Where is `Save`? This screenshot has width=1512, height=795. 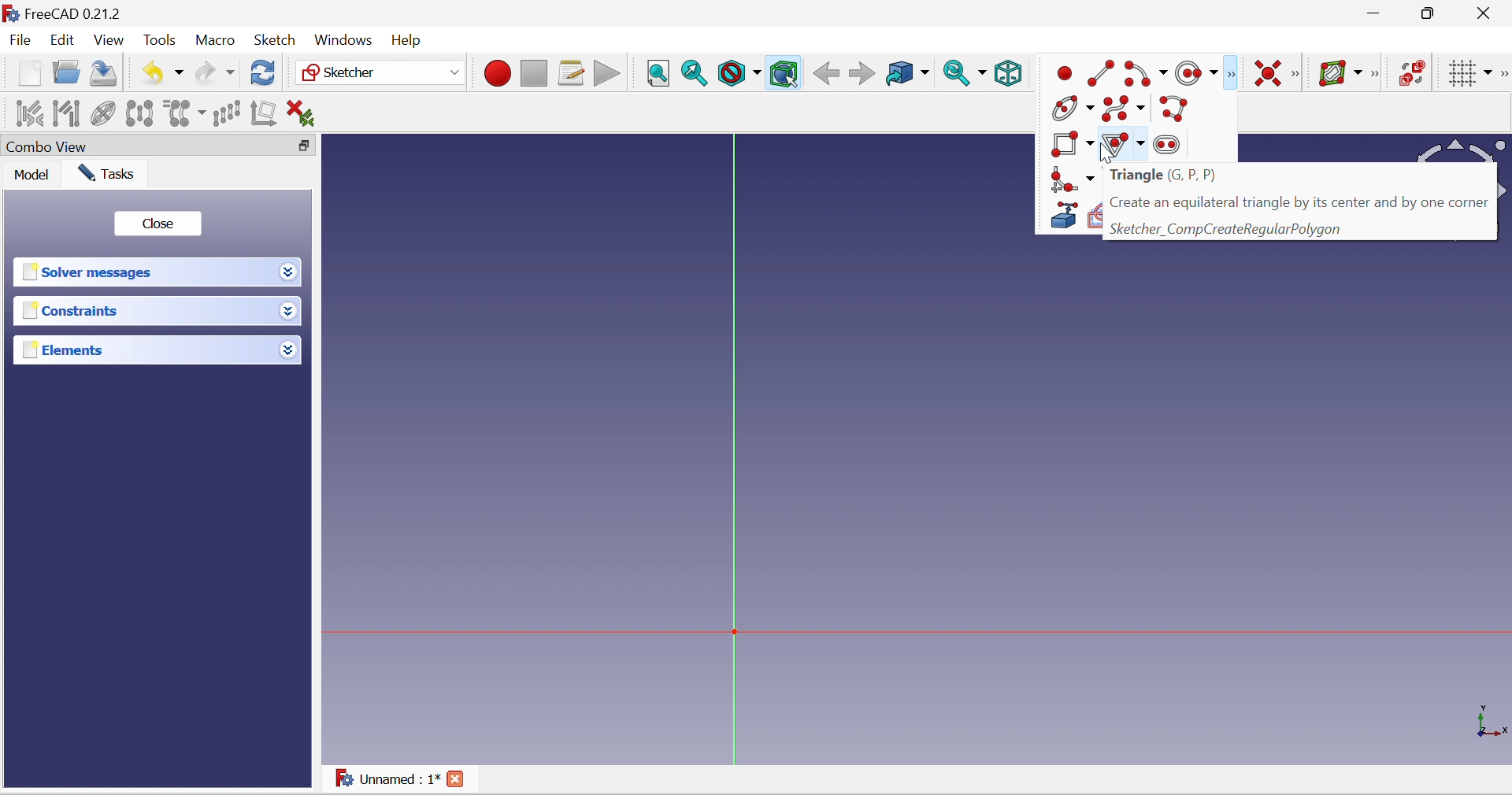
Save is located at coordinates (106, 74).